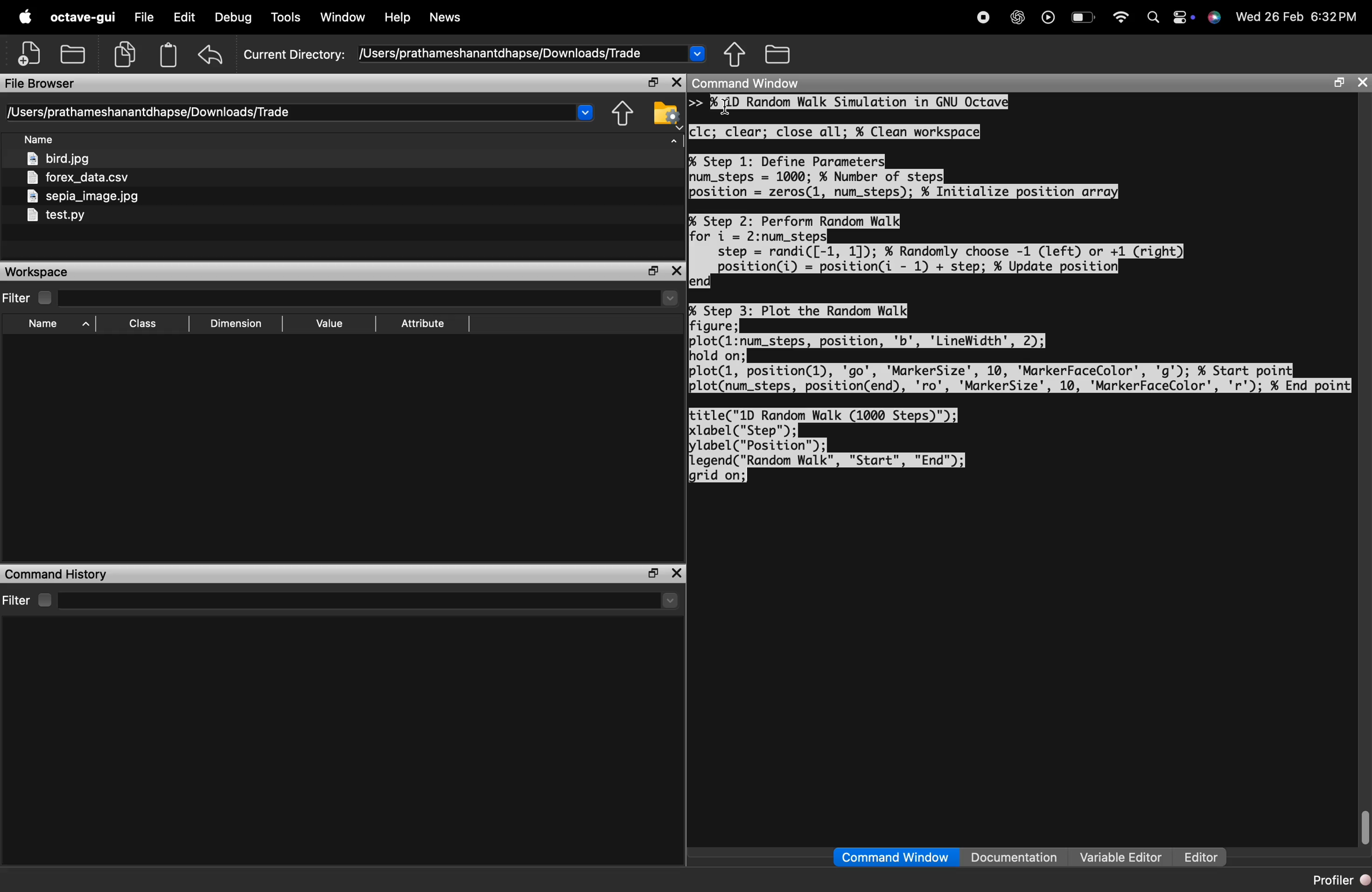  I want to click on close, so click(676, 82).